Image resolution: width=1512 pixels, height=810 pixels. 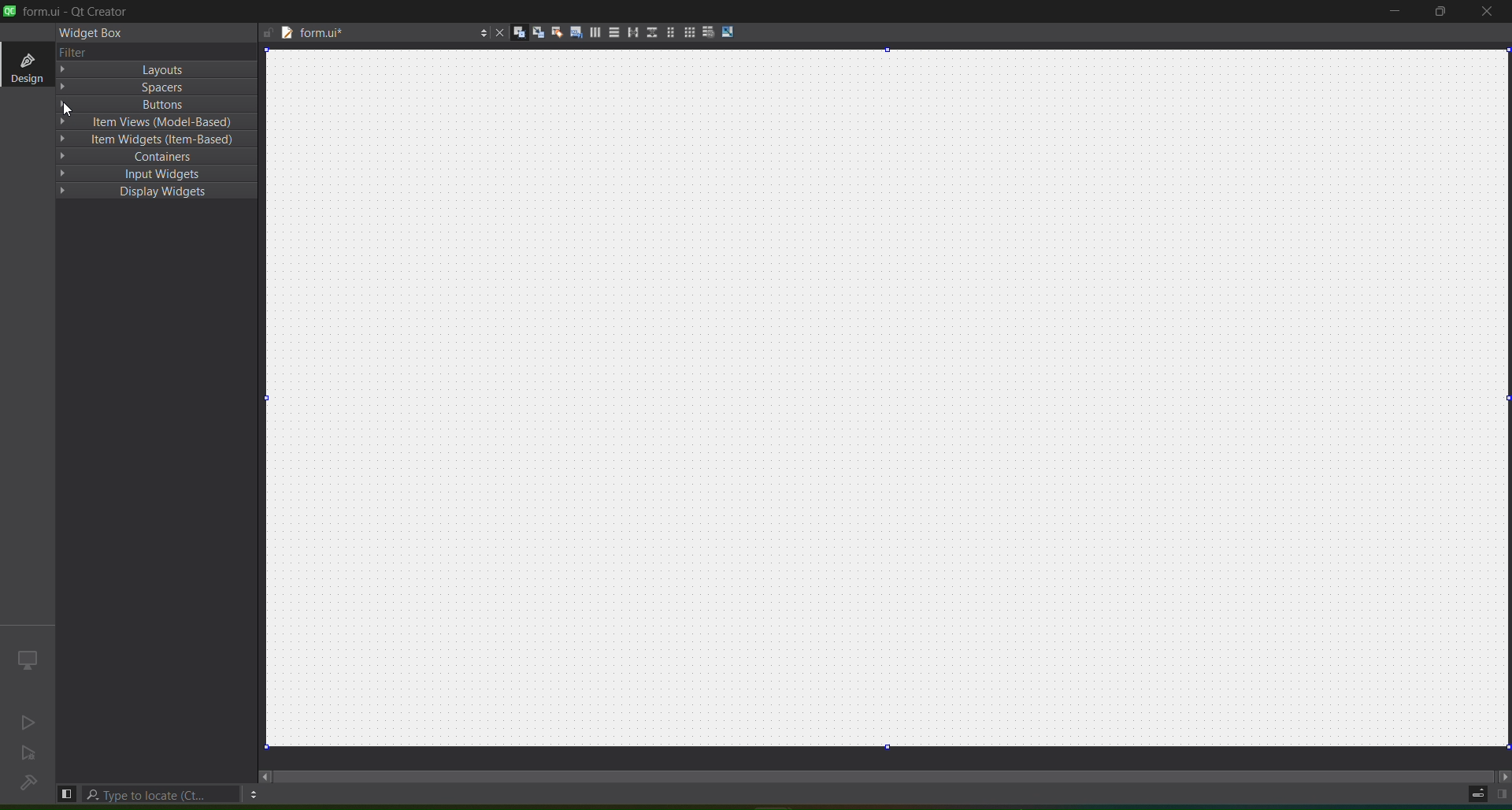 What do you see at coordinates (650, 33) in the screenshot?
I see `layout vertical splitter` at bounding box center [650, 33].